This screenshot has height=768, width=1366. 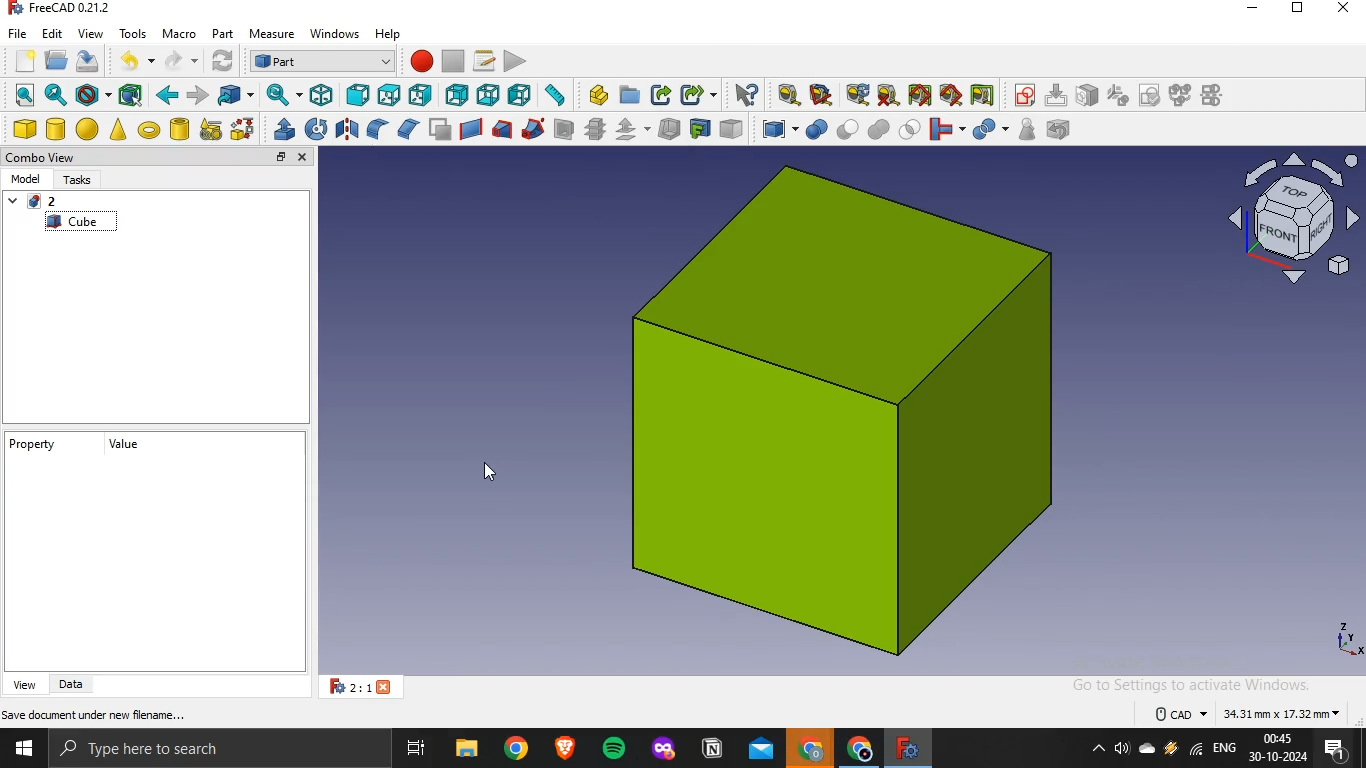 What do you see at coordinates (421, 94) in the screenshot?
I see `right` at bounding box center [421, 94].